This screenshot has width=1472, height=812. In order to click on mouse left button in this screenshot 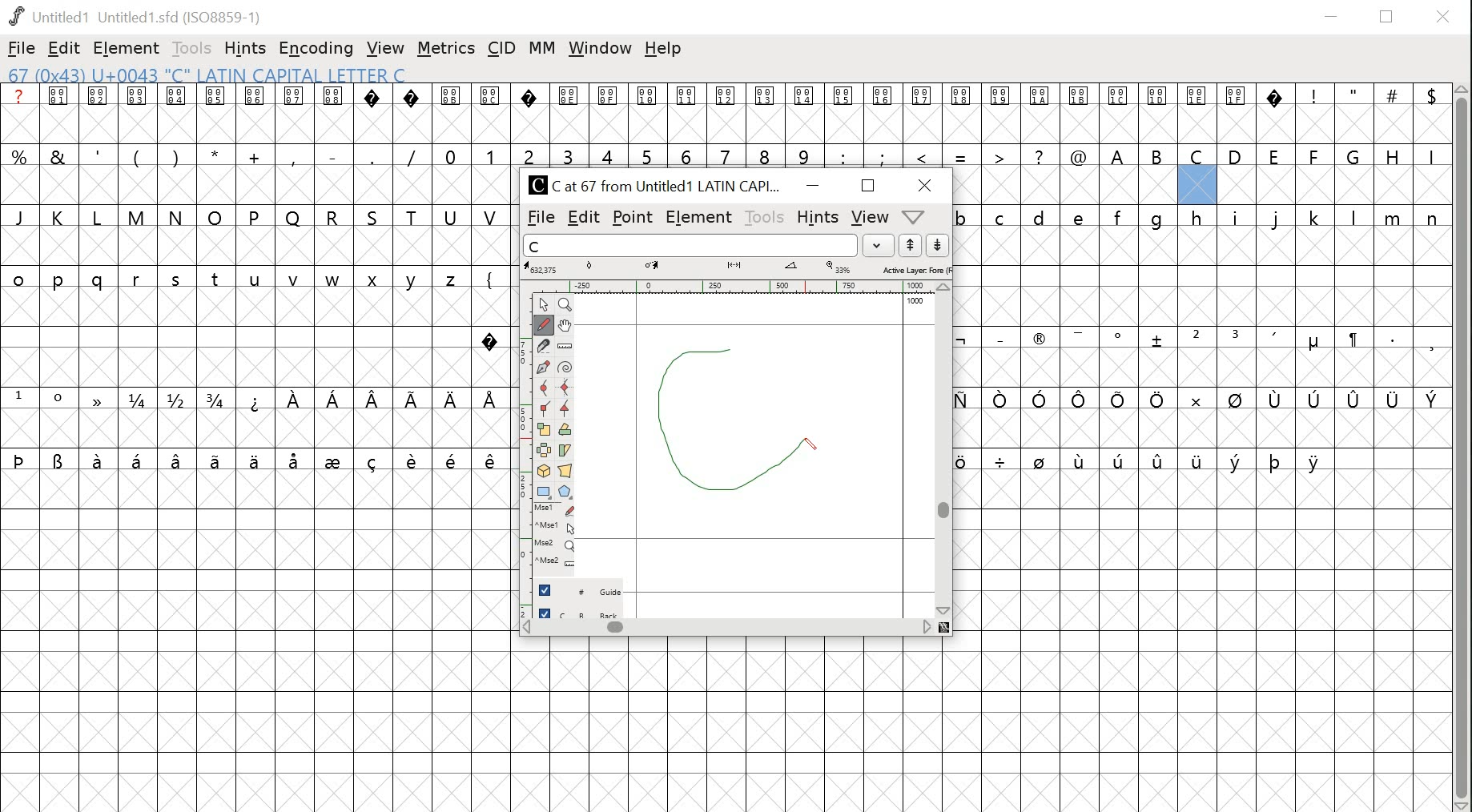, I will do `click(557, 510)`.